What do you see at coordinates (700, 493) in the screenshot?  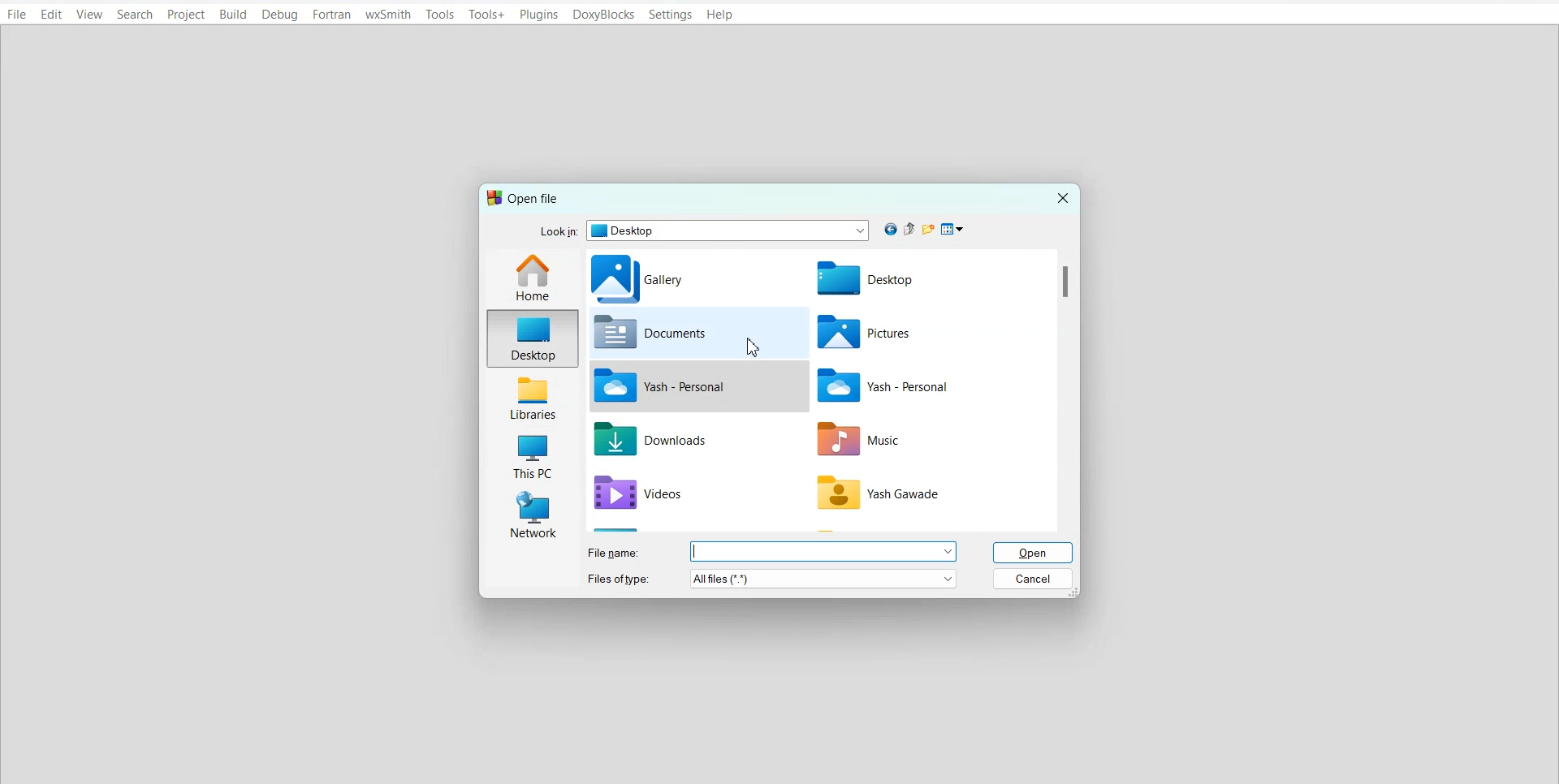 I see `Videos` at bounding box center [700, 493].